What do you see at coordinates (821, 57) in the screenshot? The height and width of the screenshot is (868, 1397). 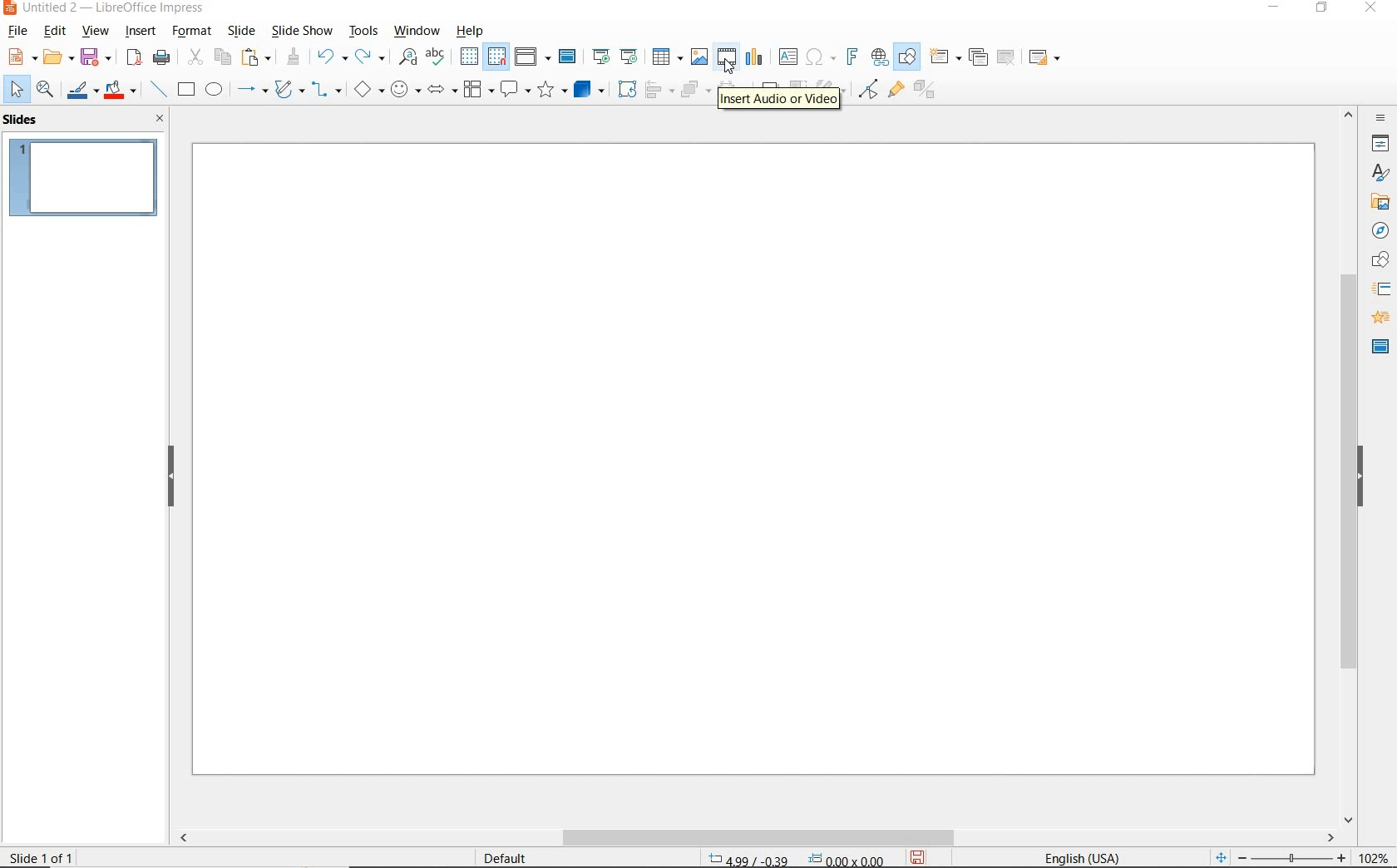 I see `INSERT SPECIAL CHARACTERS` at bounding box center [821, 57].